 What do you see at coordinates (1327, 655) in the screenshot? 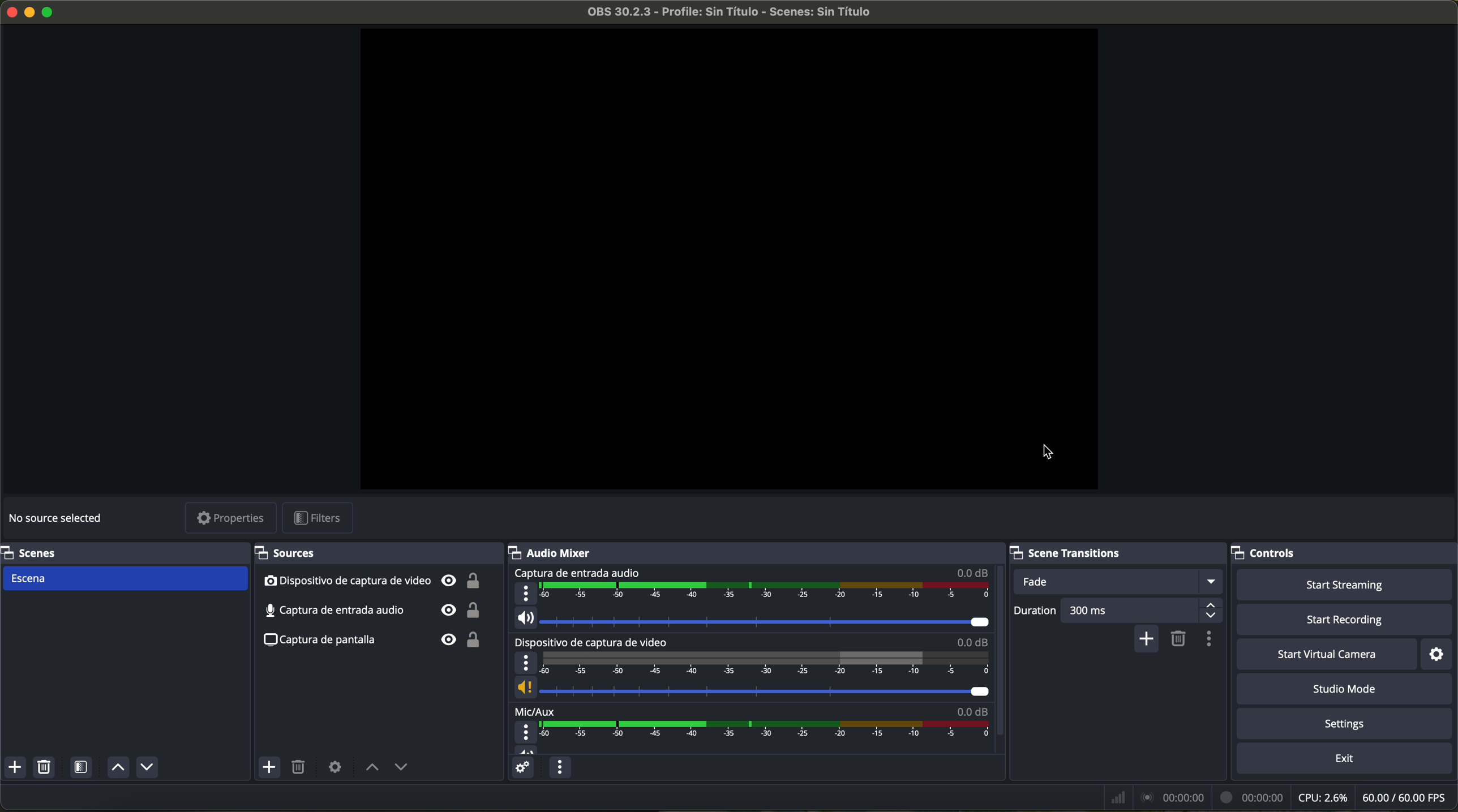
I see `start virtual camera` at bounding box center [1327, 655].